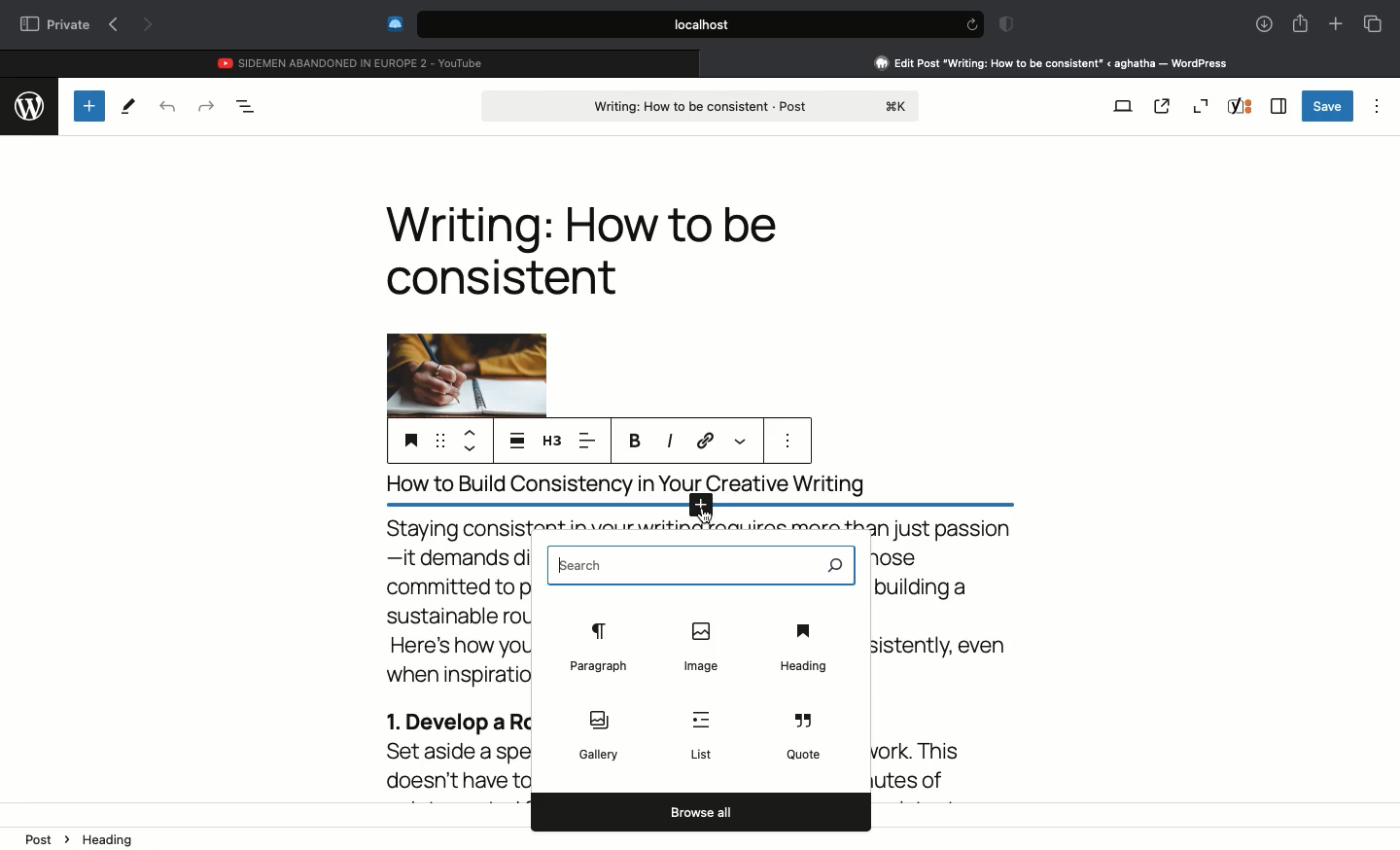 The image size is (1400, 850). Describe the element at coordinates (150, 26) in the screenshot. I see `Next page` at that location.